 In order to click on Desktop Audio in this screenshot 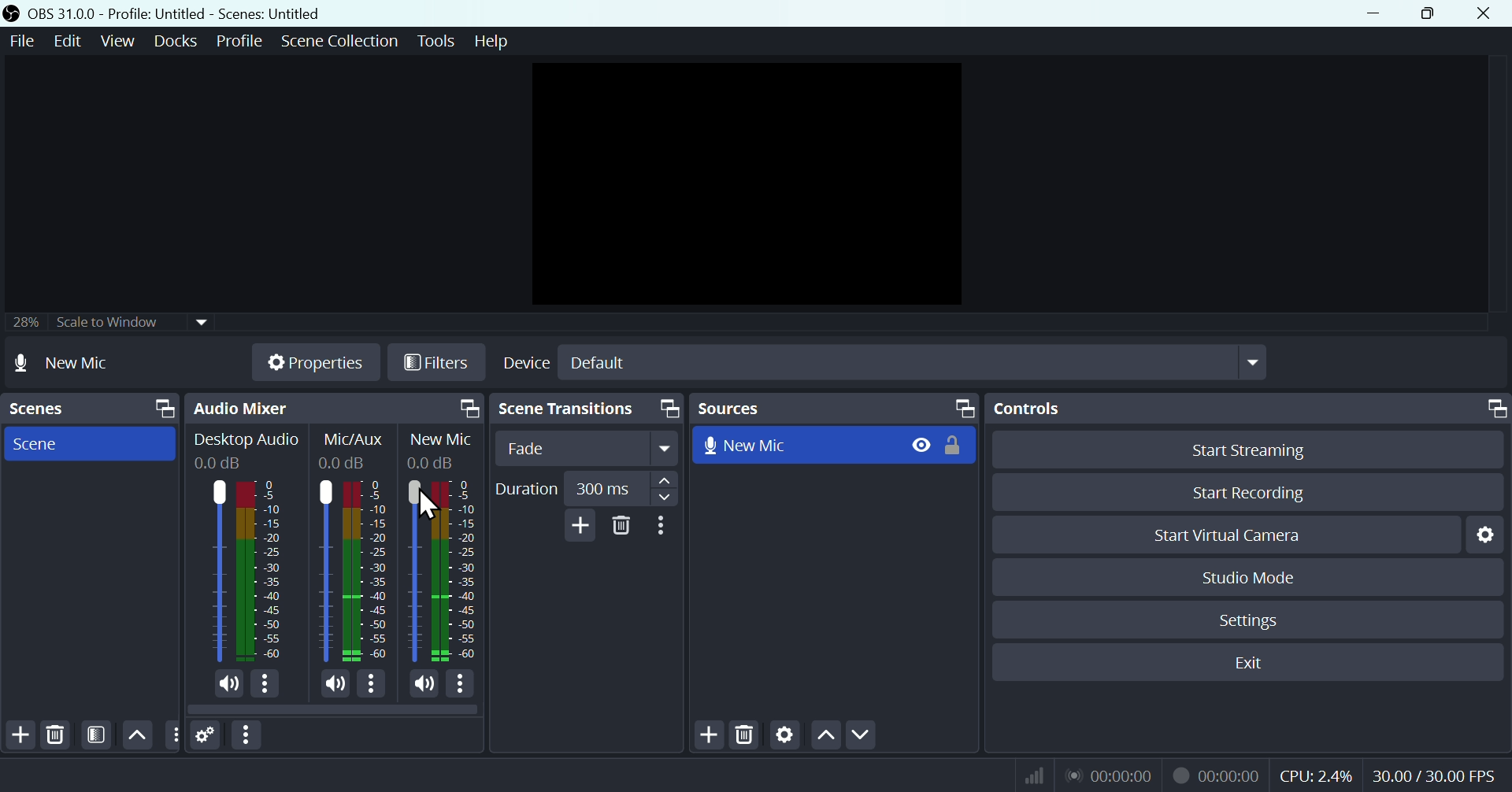, I will do `click(246, 441)`.